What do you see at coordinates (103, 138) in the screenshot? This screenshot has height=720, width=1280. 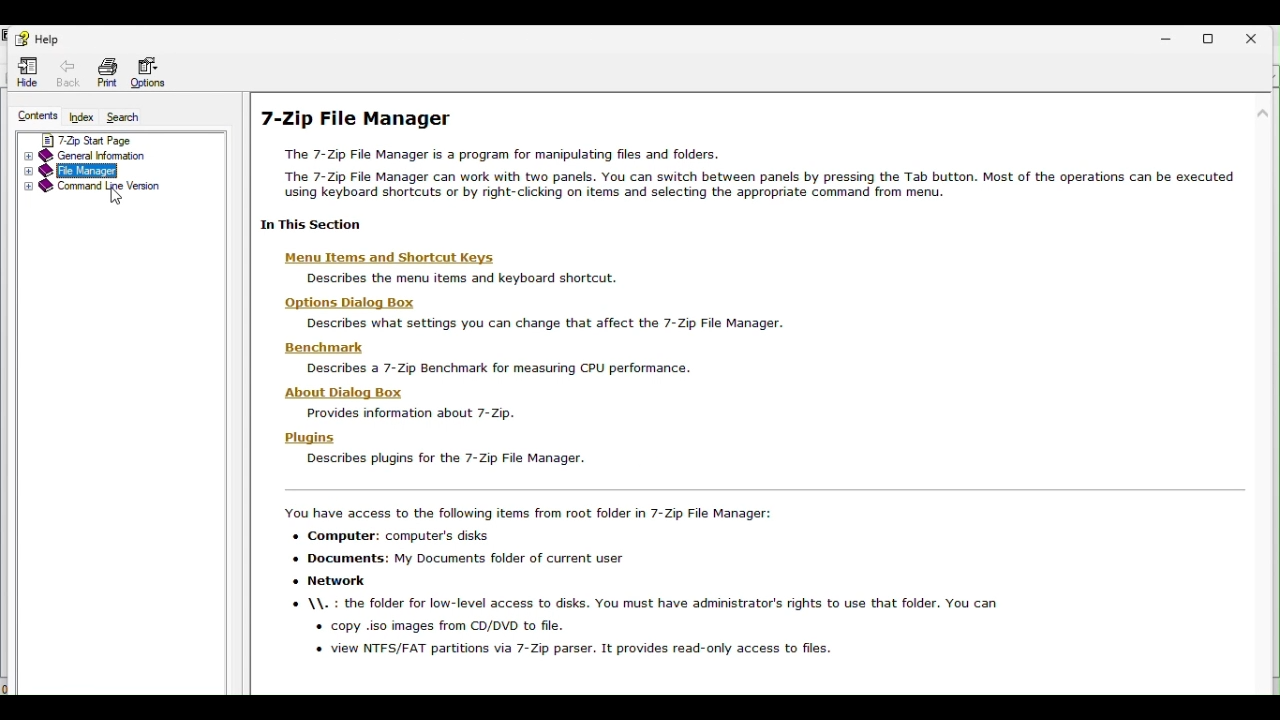 I see `7 zip start page` at bounding box center [103, 138].